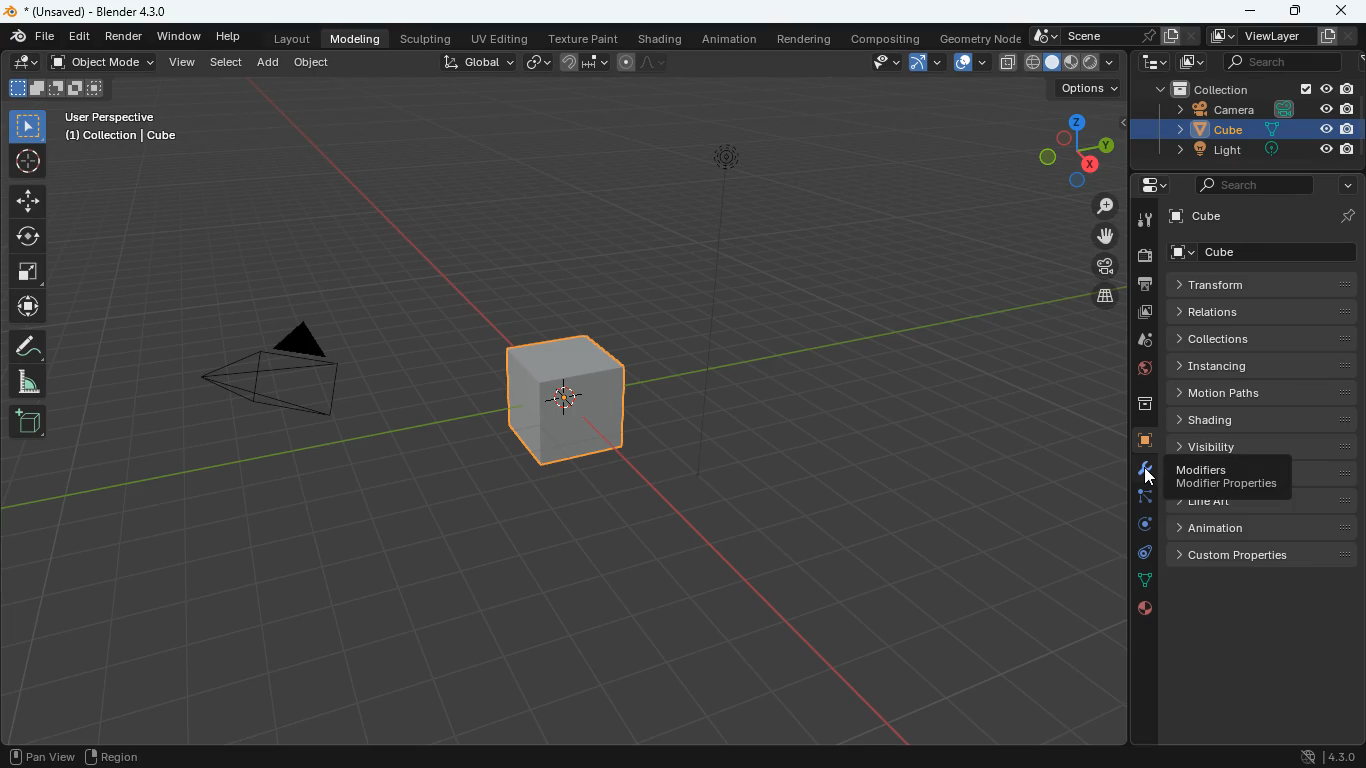  I want to click on select, so click(228, 63).